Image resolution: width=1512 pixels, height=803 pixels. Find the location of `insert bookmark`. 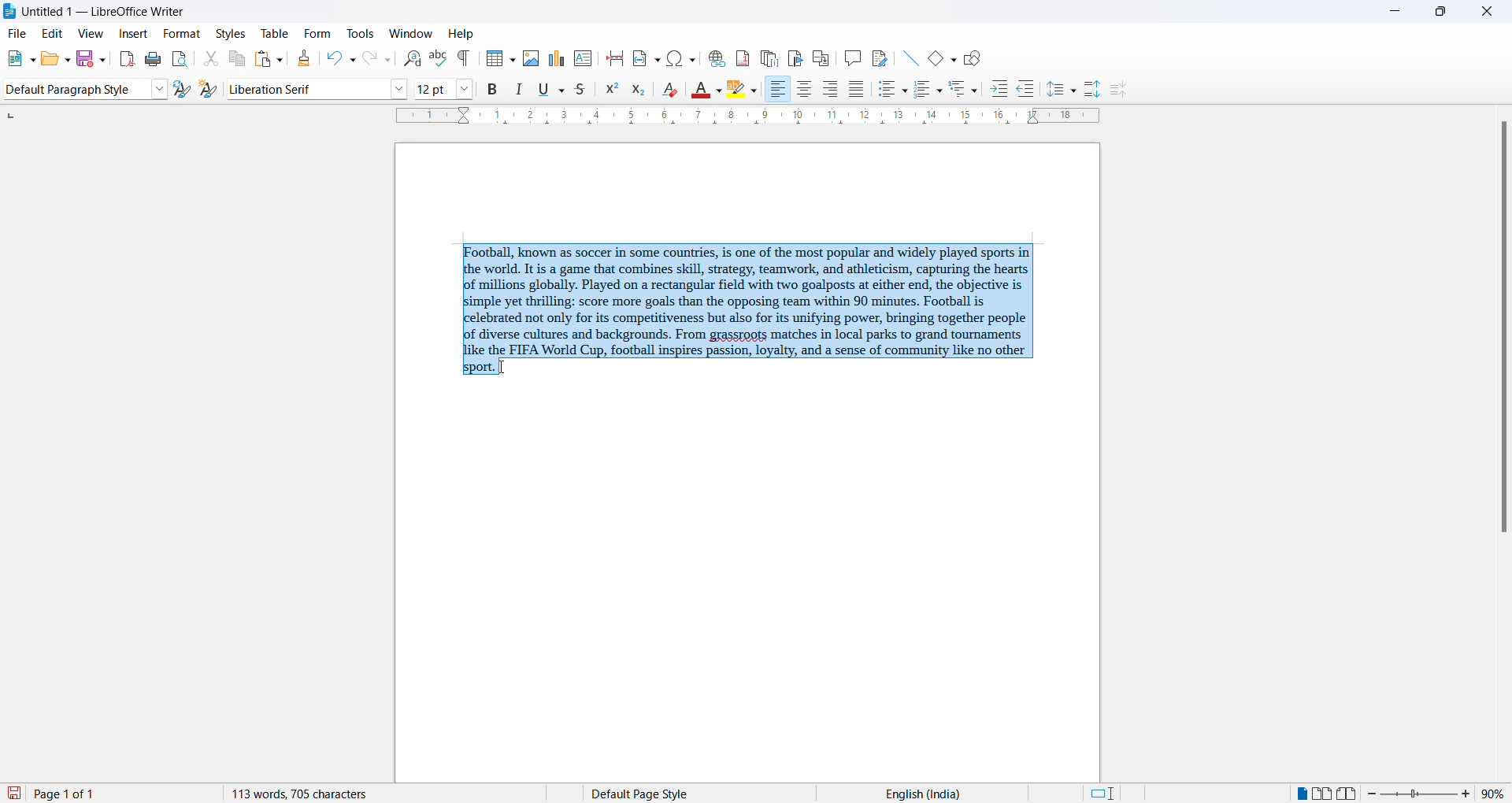

insert bookmark is located at coordinates (797, 58).